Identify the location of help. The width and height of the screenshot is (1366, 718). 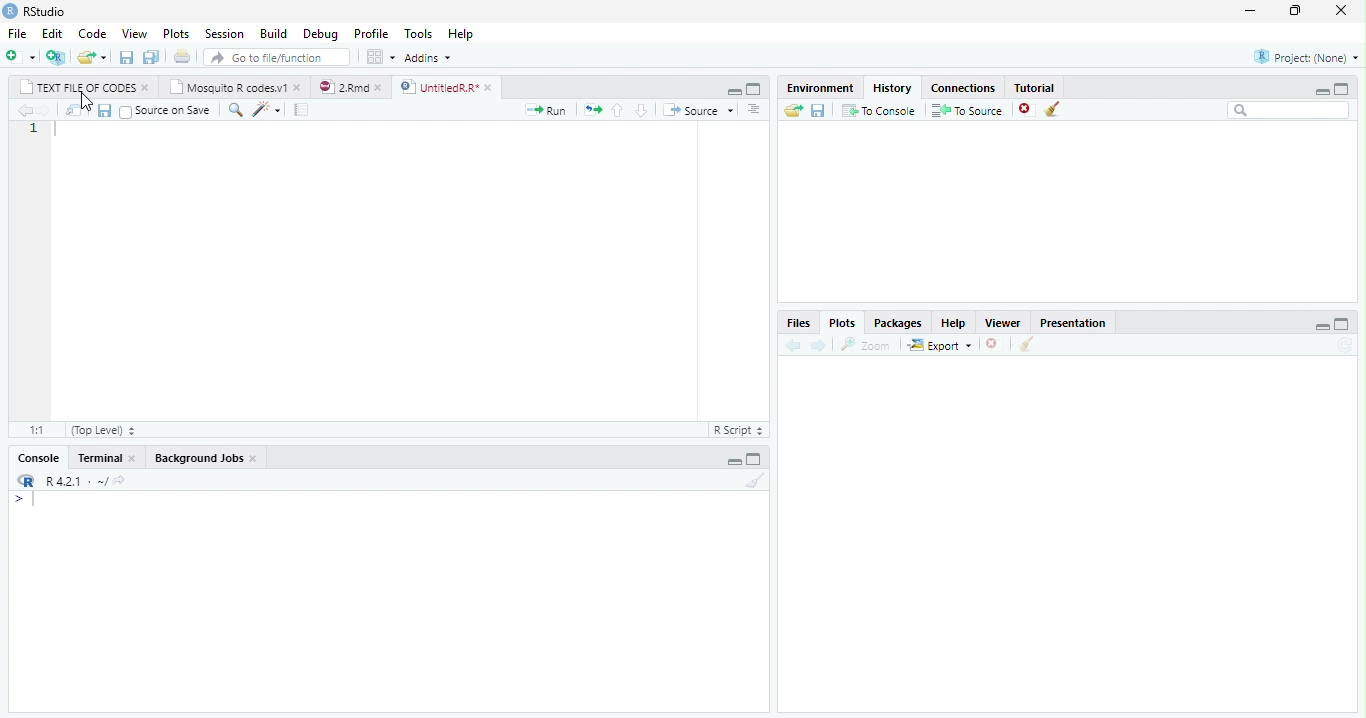
(471, 37).